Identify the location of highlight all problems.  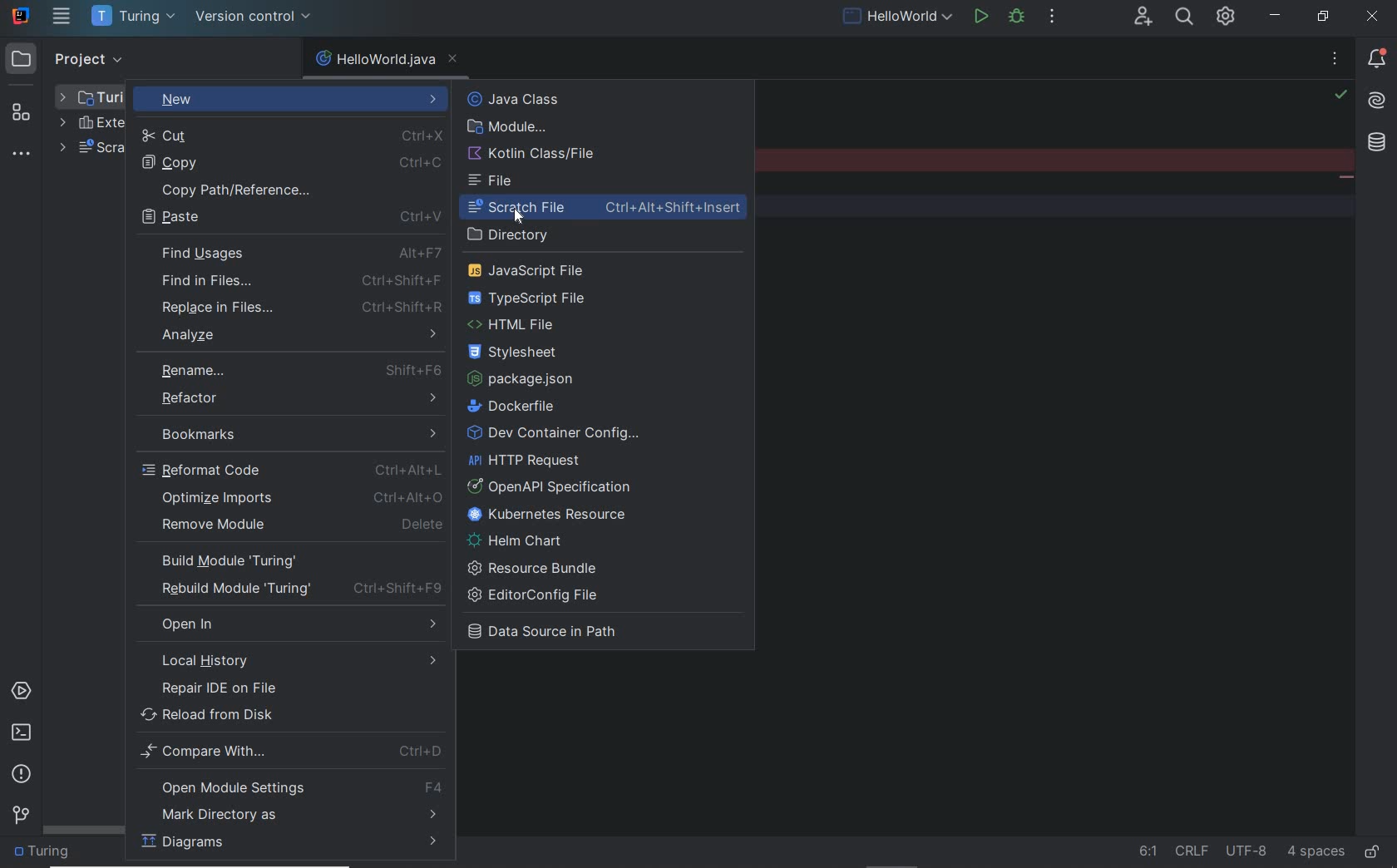
(1340, 95).